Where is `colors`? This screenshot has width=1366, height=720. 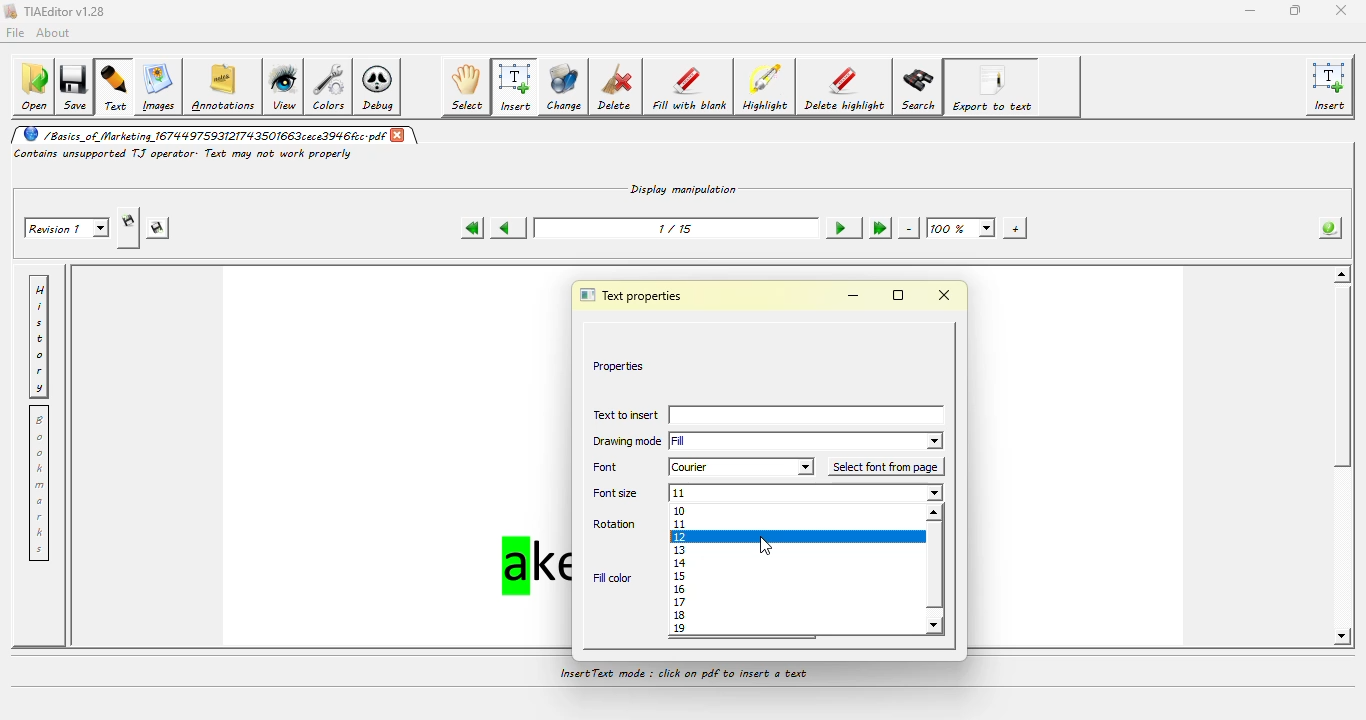
colors is located at coordinates (332, 88).